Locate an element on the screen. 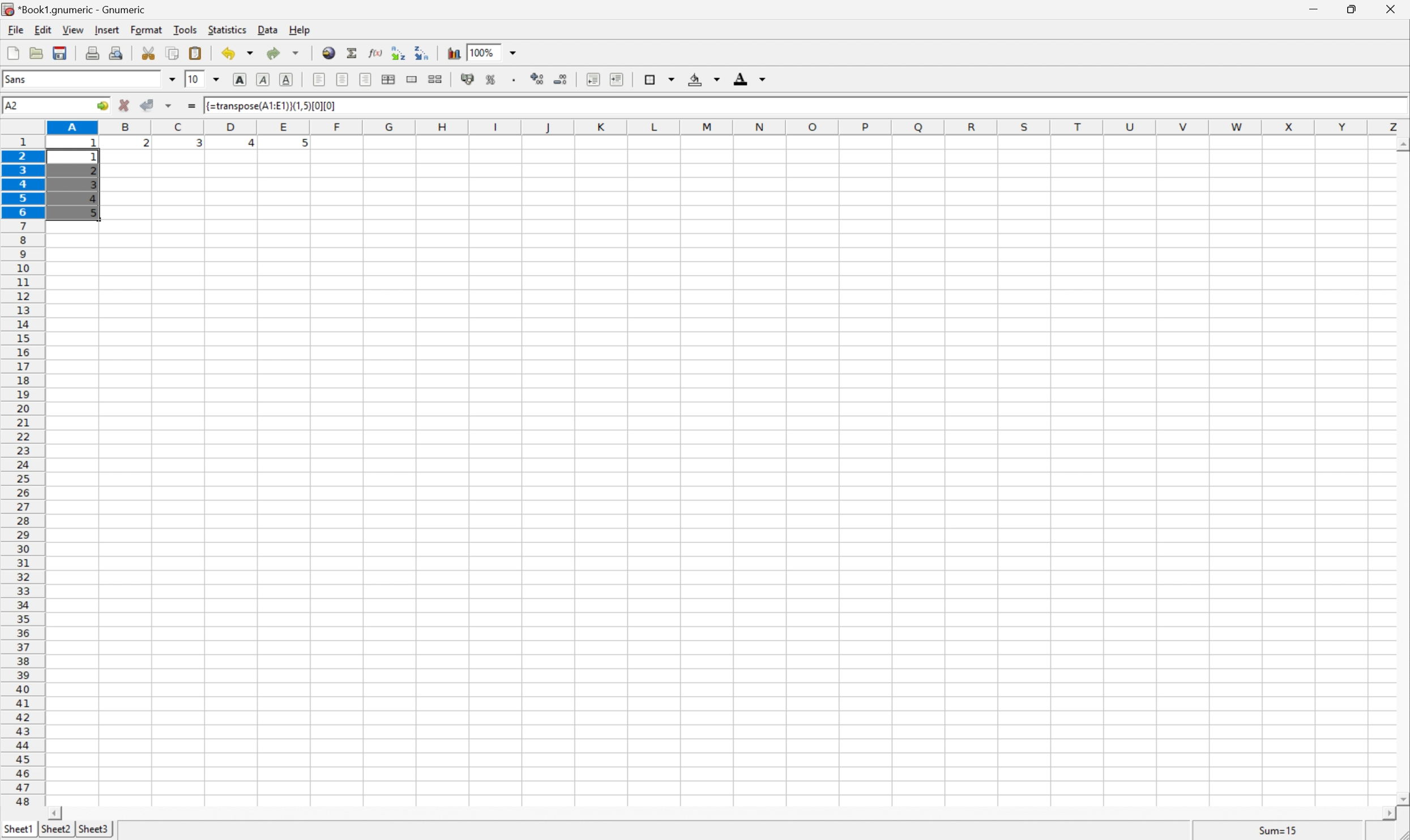 The height and width of the screenshot is (840, 1410). accept changes across selection is located at coordinates (168, 106).